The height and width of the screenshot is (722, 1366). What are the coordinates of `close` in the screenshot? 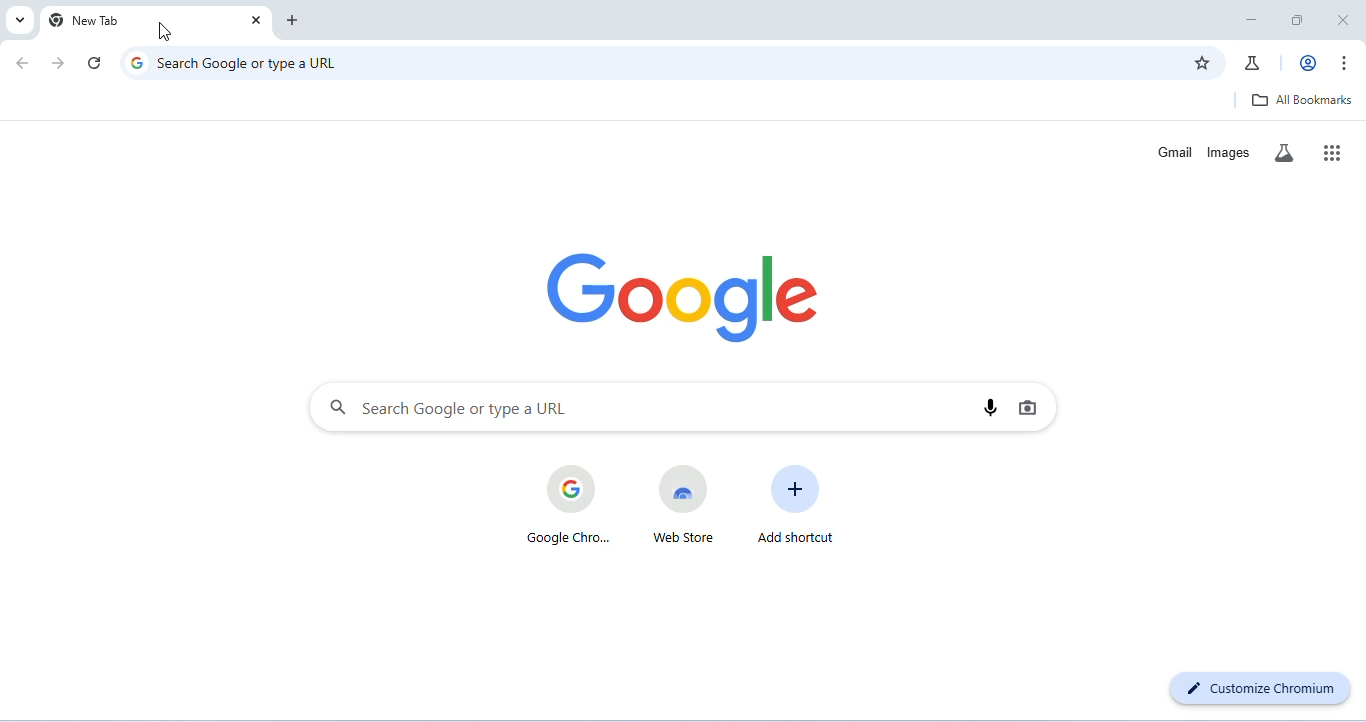 It's located at (1344, 20).